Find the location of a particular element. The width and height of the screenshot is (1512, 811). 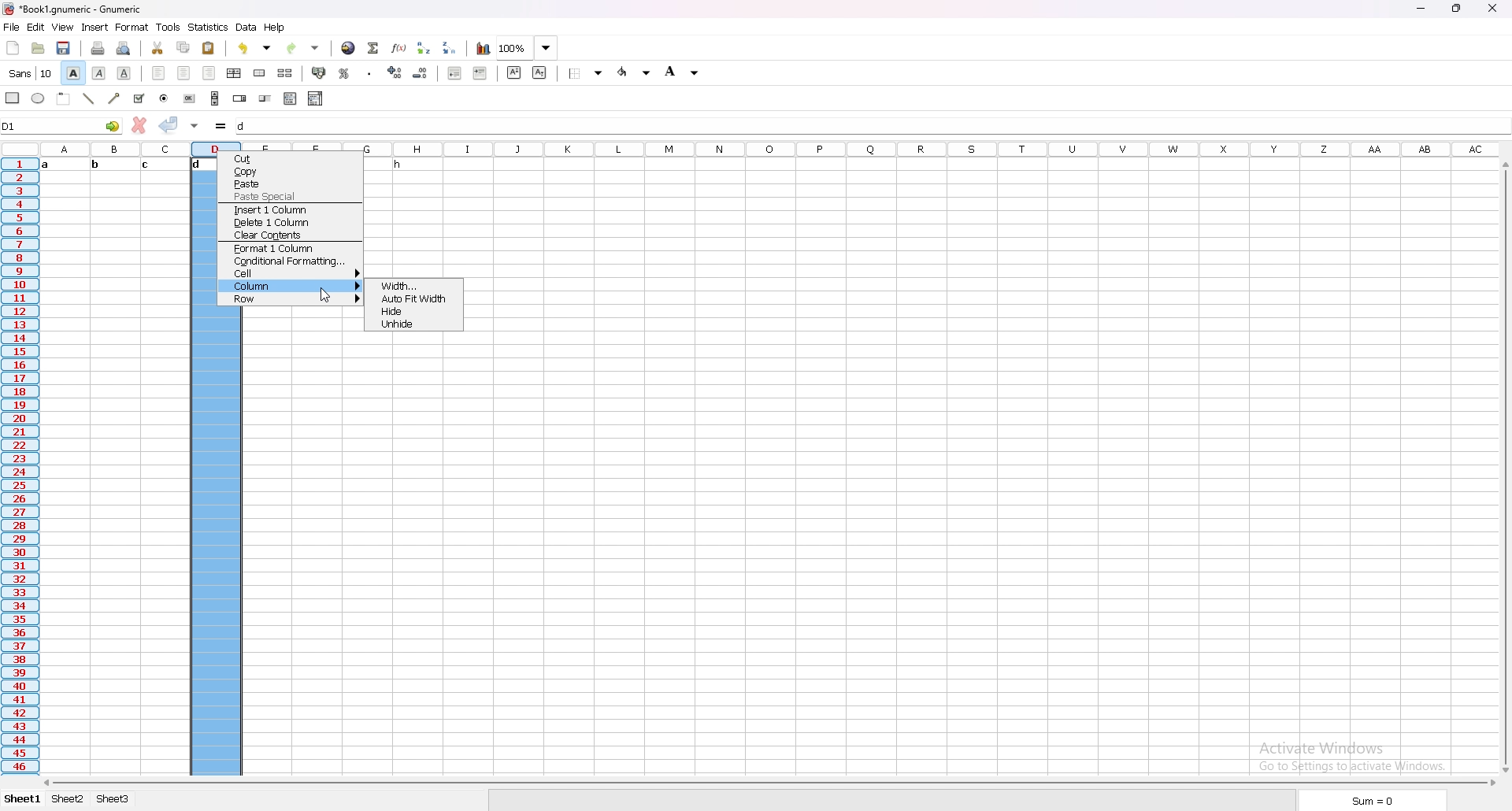

accept changes is located at coordinates (169, 124).